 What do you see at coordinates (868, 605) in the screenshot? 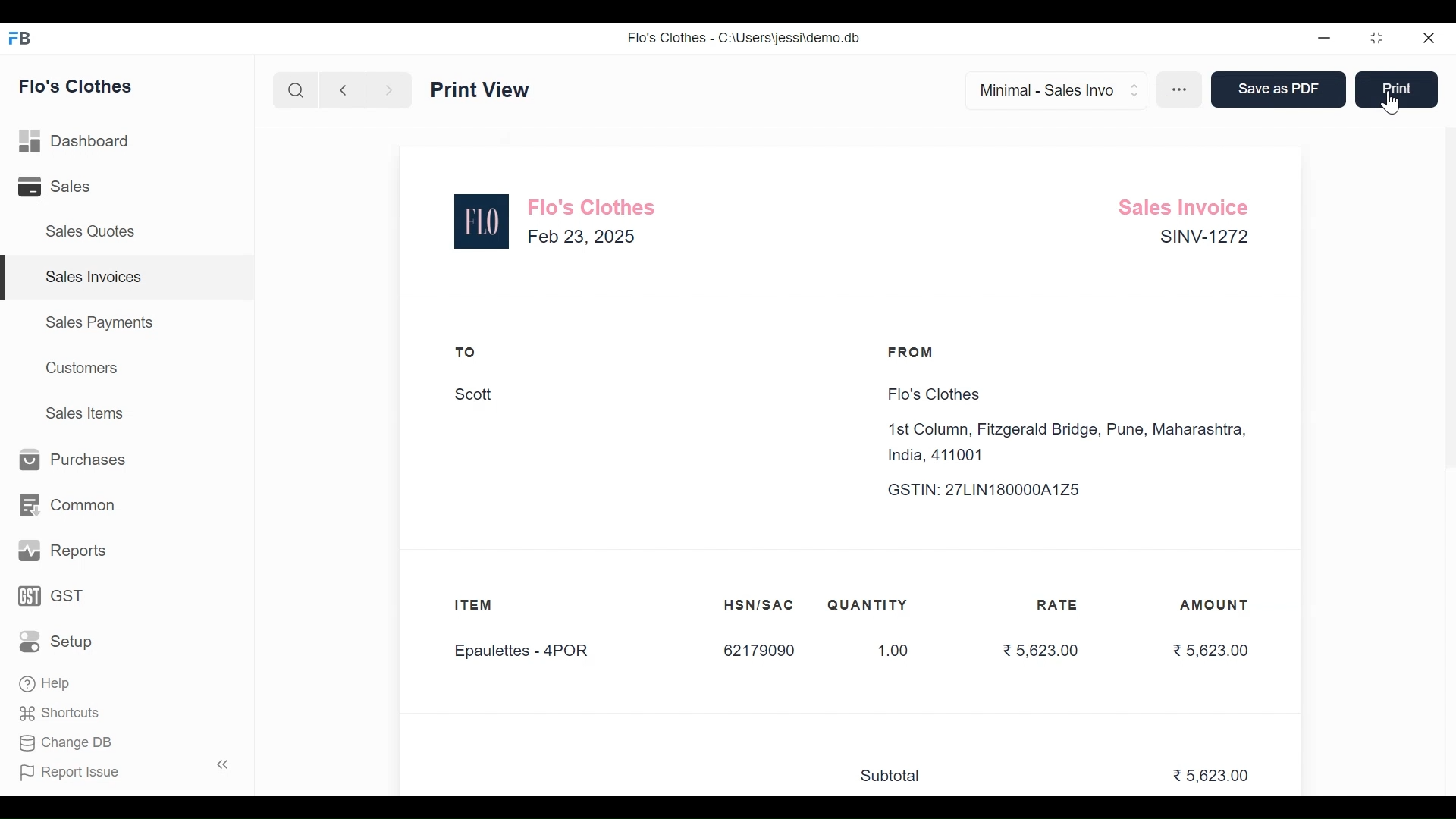
I see `QUANTITY` at bounding box center [868, 605].